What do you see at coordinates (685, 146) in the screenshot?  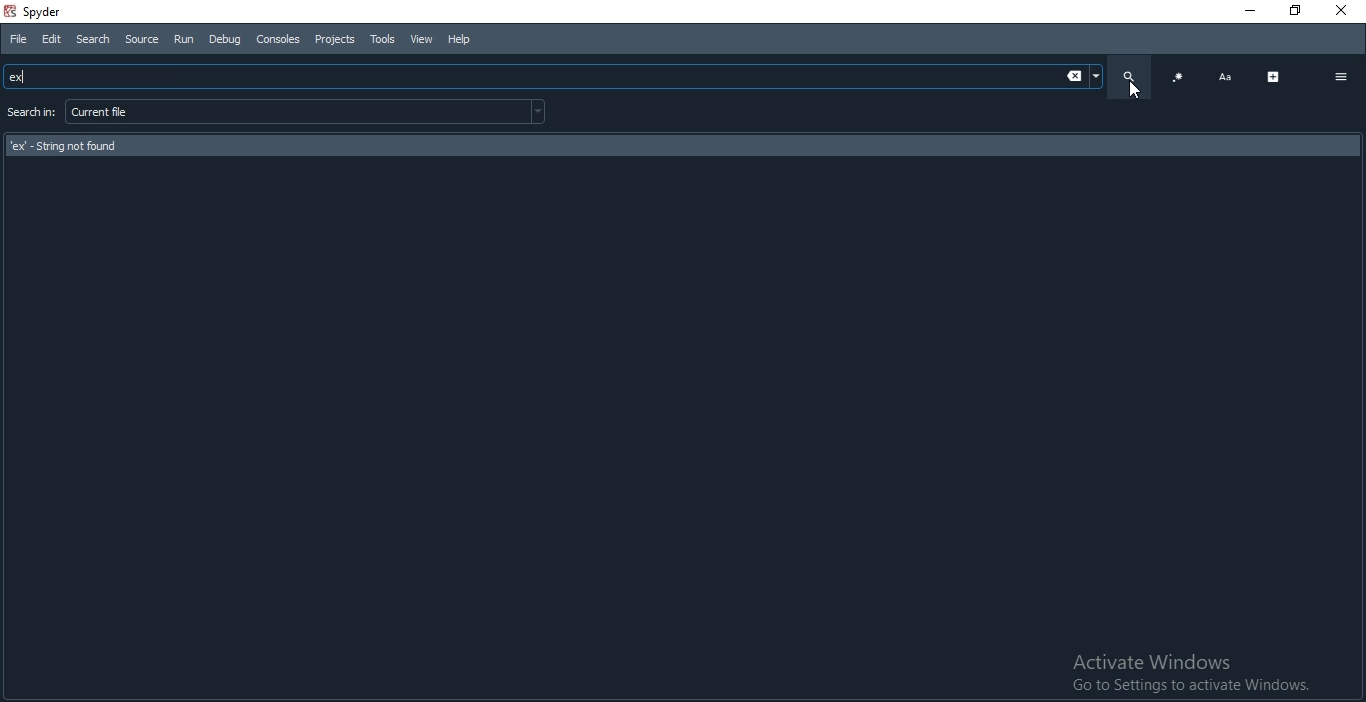 I see `search result` at bounding box center [685, 146].